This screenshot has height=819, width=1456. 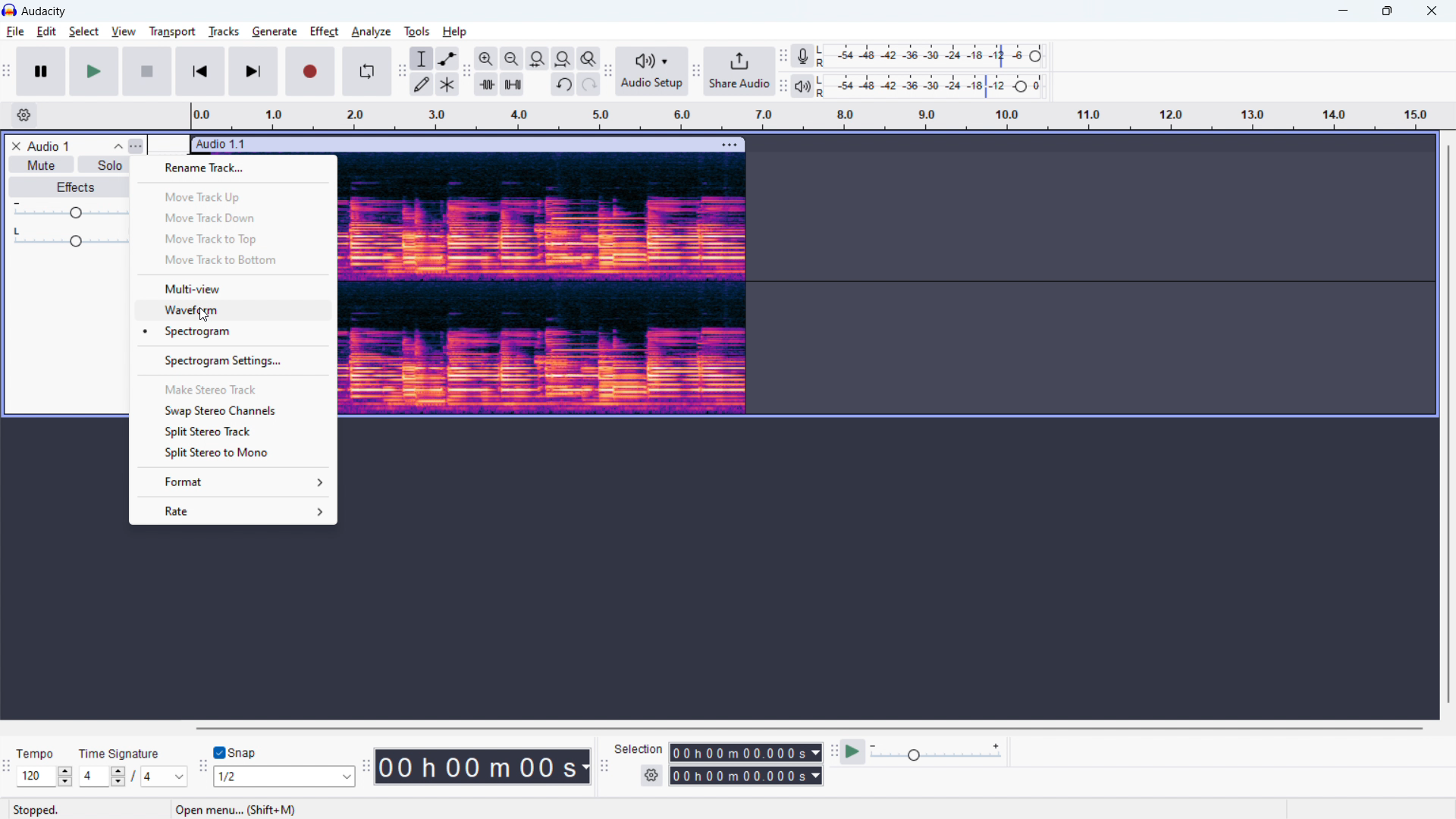 What do you see at coordinates (240, 810) in the screenshot?
I see `open menu.. (Shift+M)` at bounding box center [240, 810].